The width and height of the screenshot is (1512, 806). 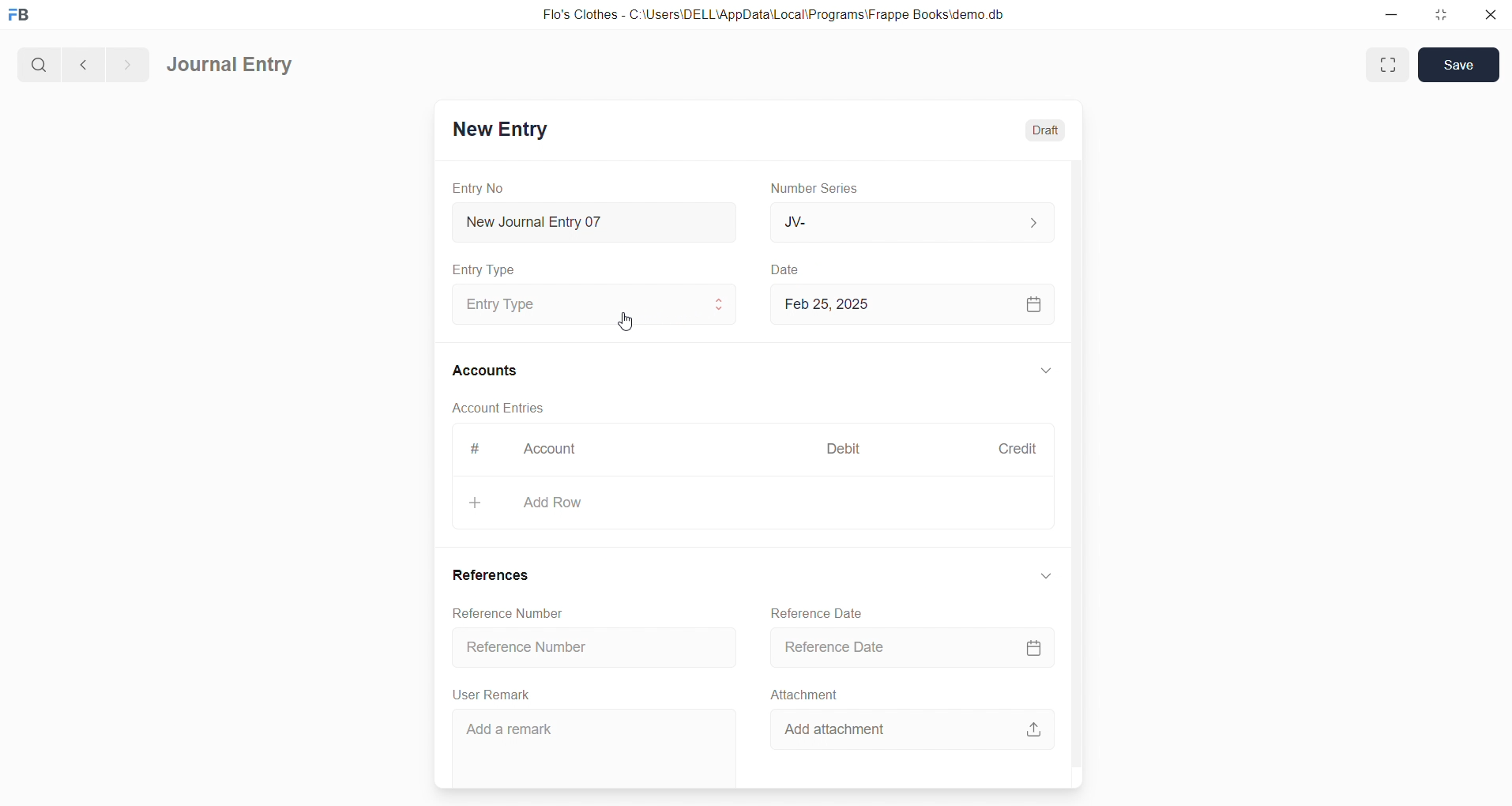 What do you see at coordinates (81, 62) in the screenshot?
I see `navigate backward ` at bounding box center [81, 62].